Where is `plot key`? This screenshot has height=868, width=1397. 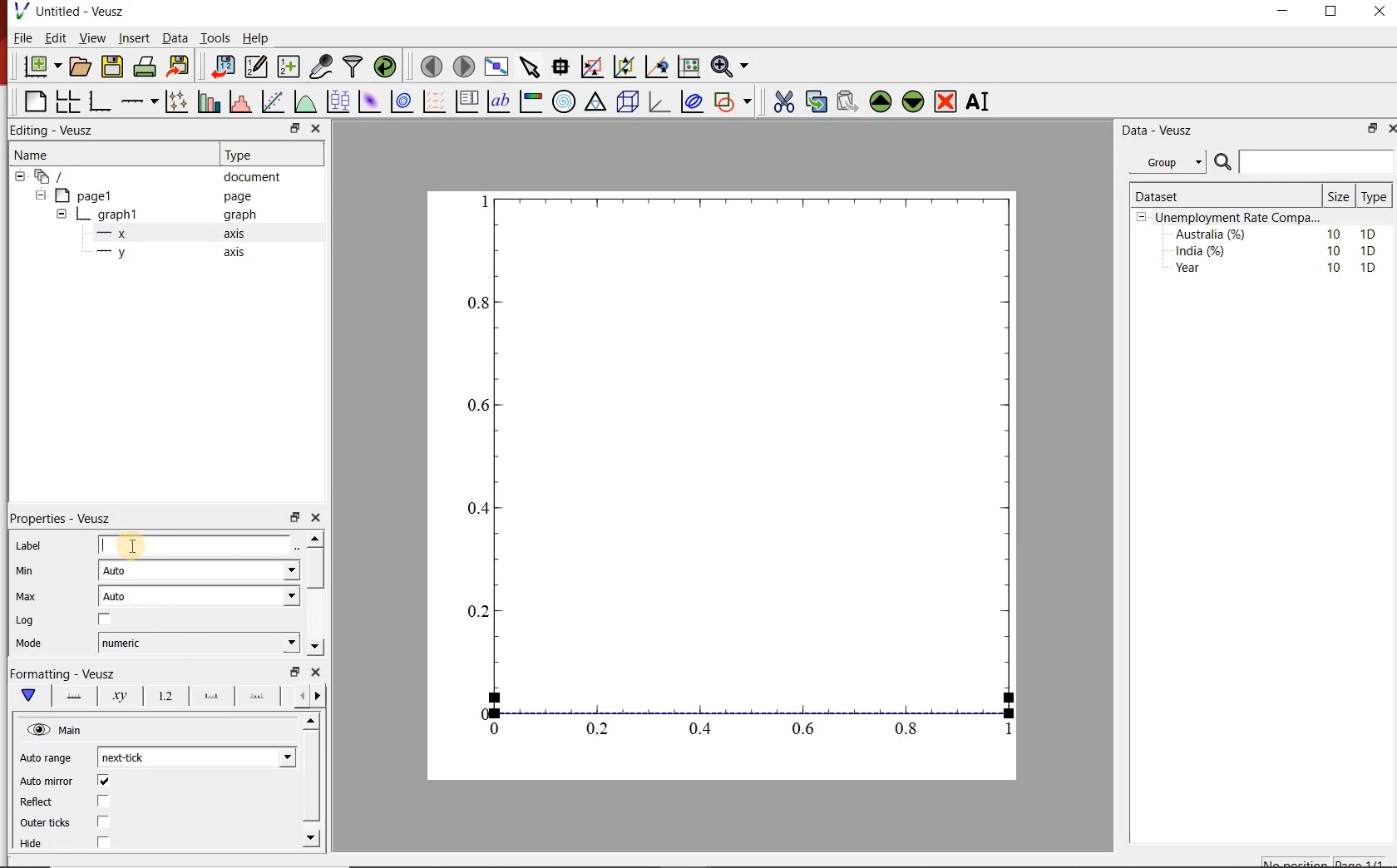
plot key is located at coordinates (466, 102).